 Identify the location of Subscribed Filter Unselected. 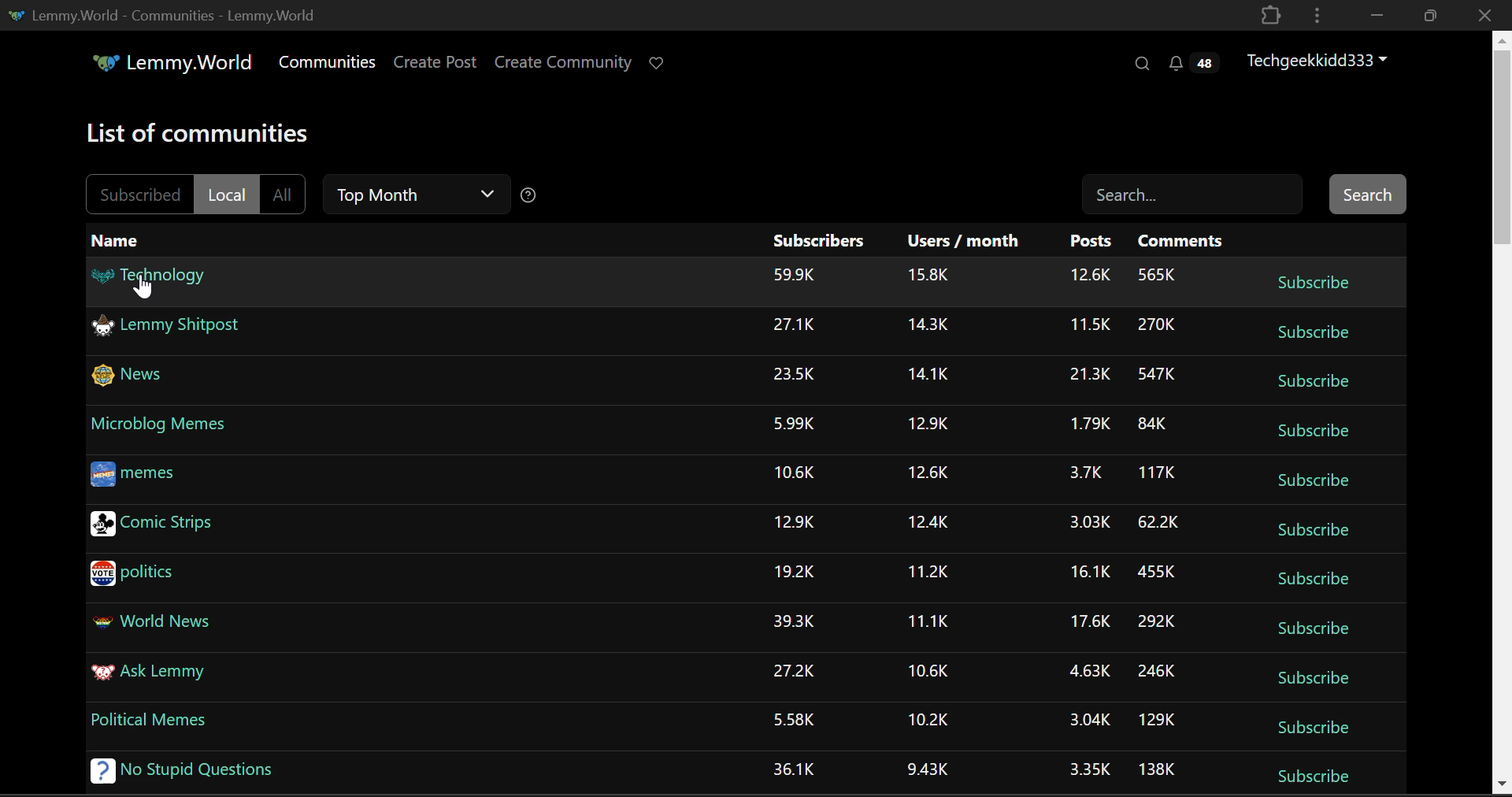
(138, 192).